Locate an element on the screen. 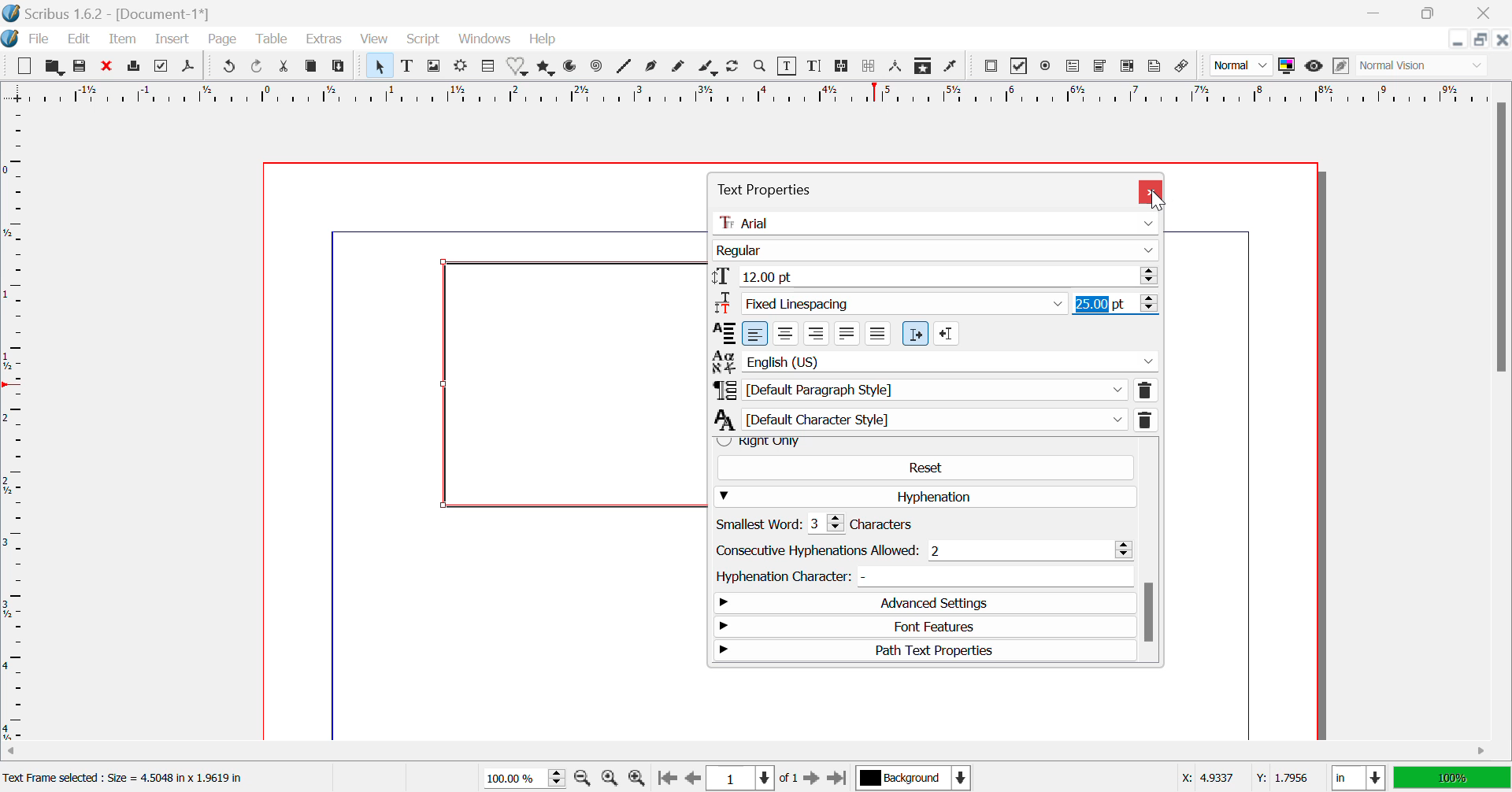 The width and height of the screenshot is (1512, 792). Refresh is located at coordinates (736, 68).